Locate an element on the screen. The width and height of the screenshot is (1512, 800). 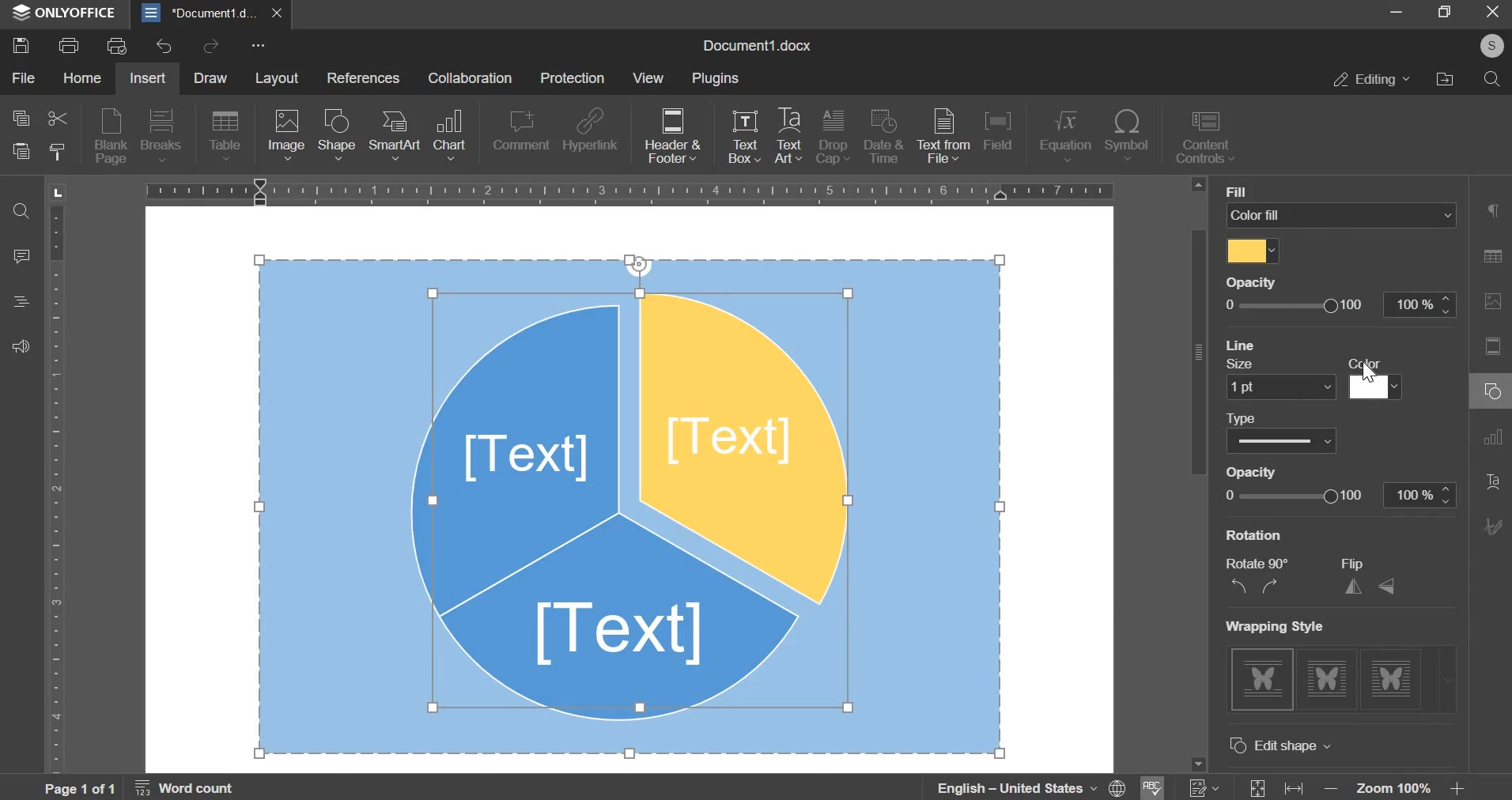
copy is located at coordinates (21, 121).